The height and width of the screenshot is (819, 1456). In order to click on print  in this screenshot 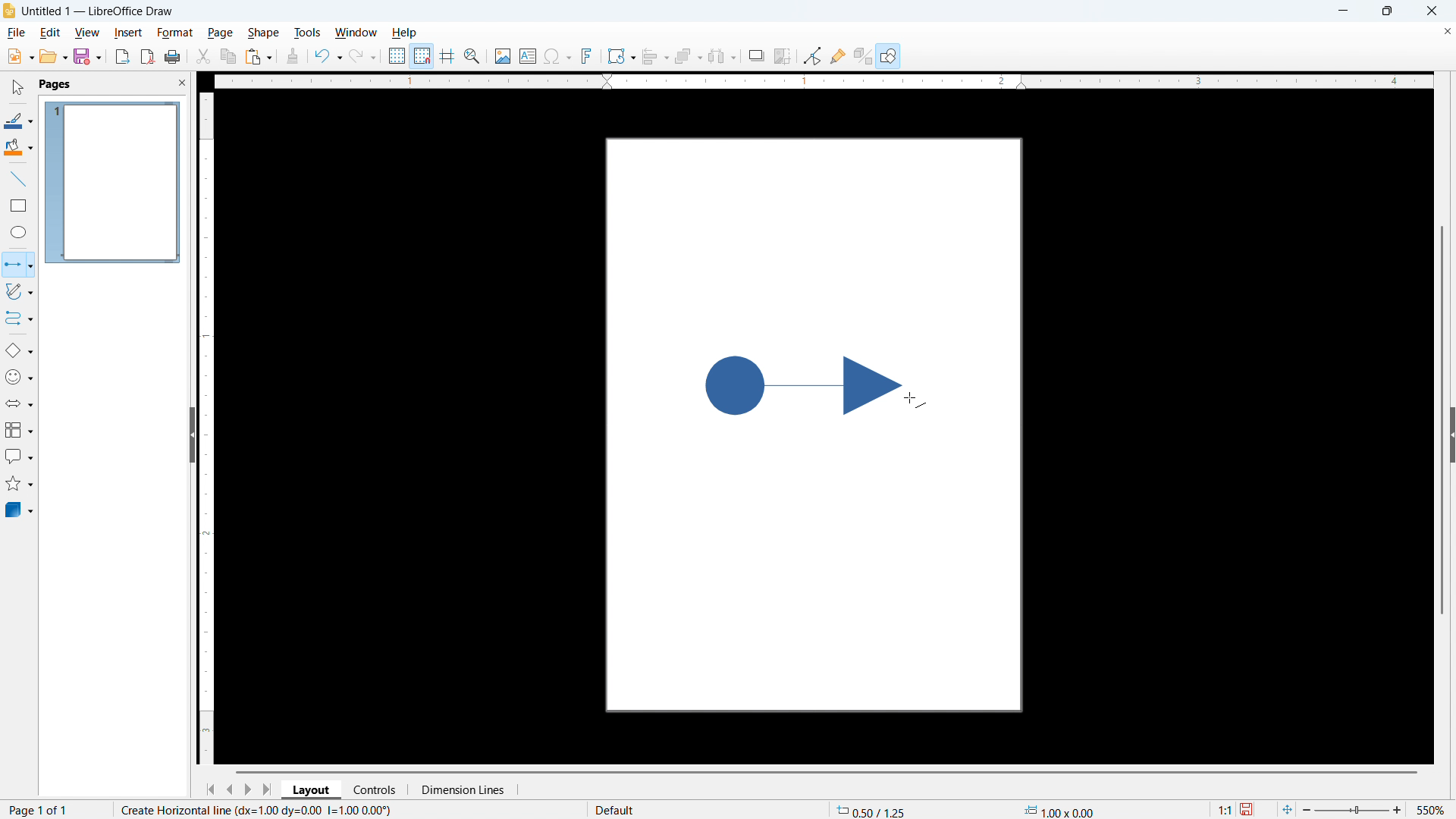, I will do `click(173, 56)`.